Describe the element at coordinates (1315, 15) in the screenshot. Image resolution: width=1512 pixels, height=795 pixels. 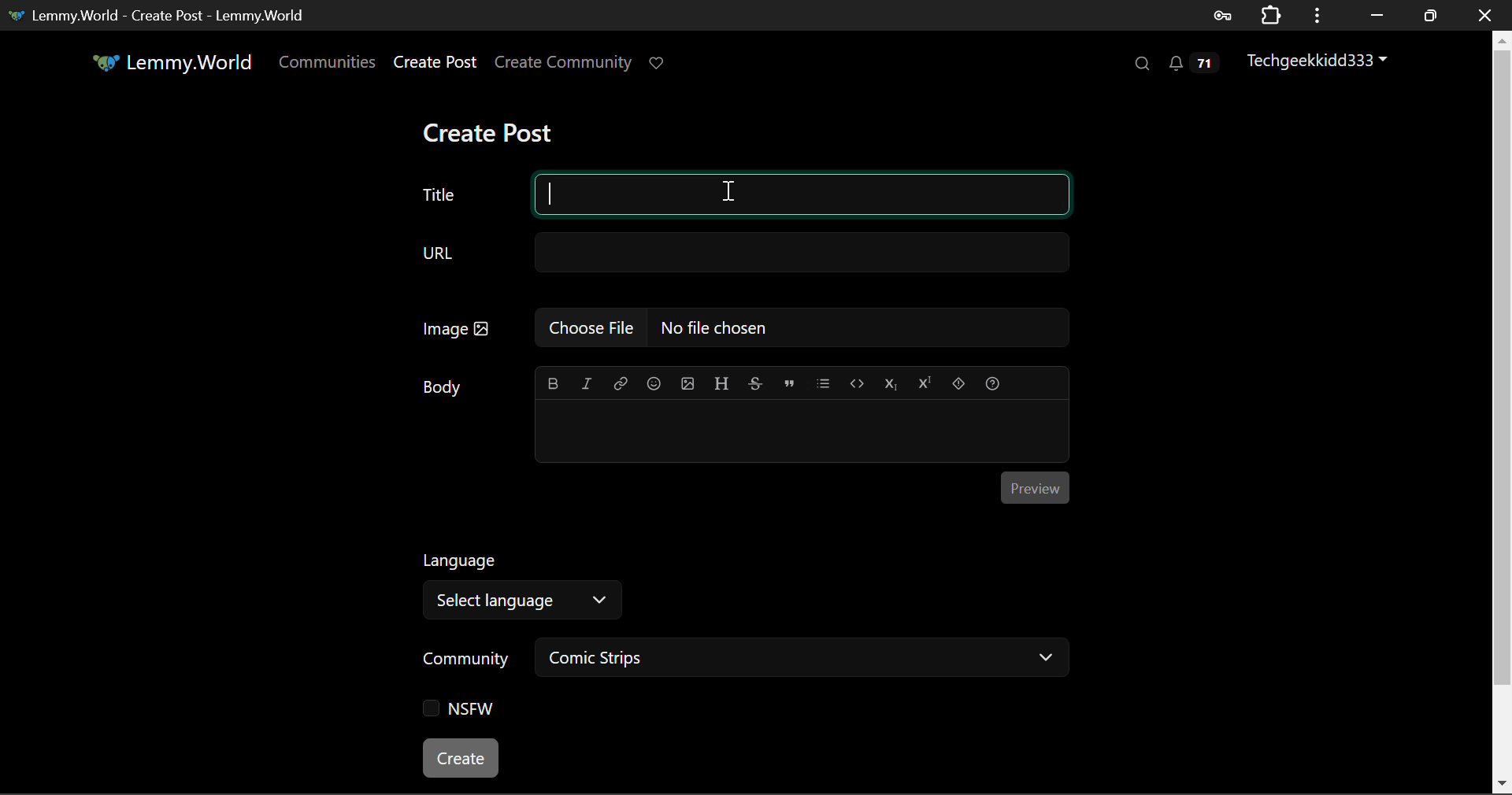
I see `Options` at that location.